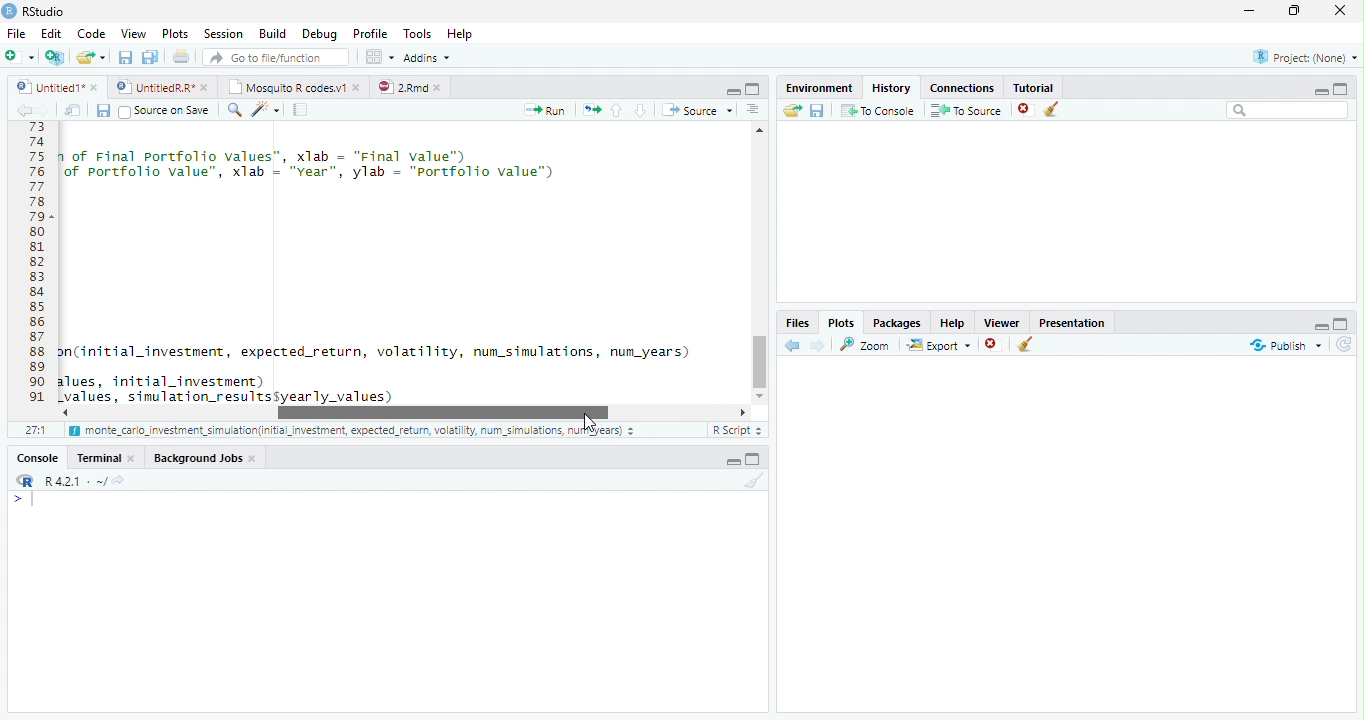 The width and height of the screenshot is (1364, 720). Describe the element at coordinates (1343, 322) in the screenshot. I see `Full Height` at that location.